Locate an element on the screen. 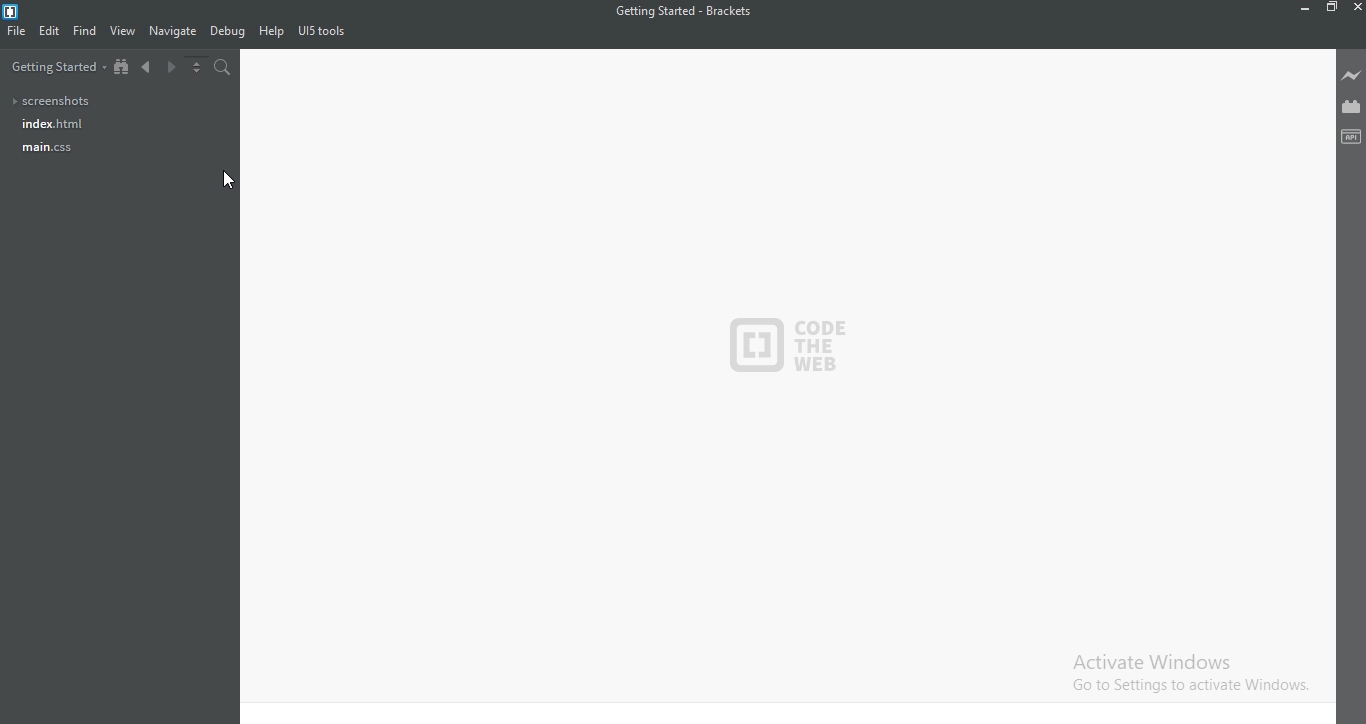 This screenshot has height=724, width=1366. UI5 tools is located at coordinates (324, 34).